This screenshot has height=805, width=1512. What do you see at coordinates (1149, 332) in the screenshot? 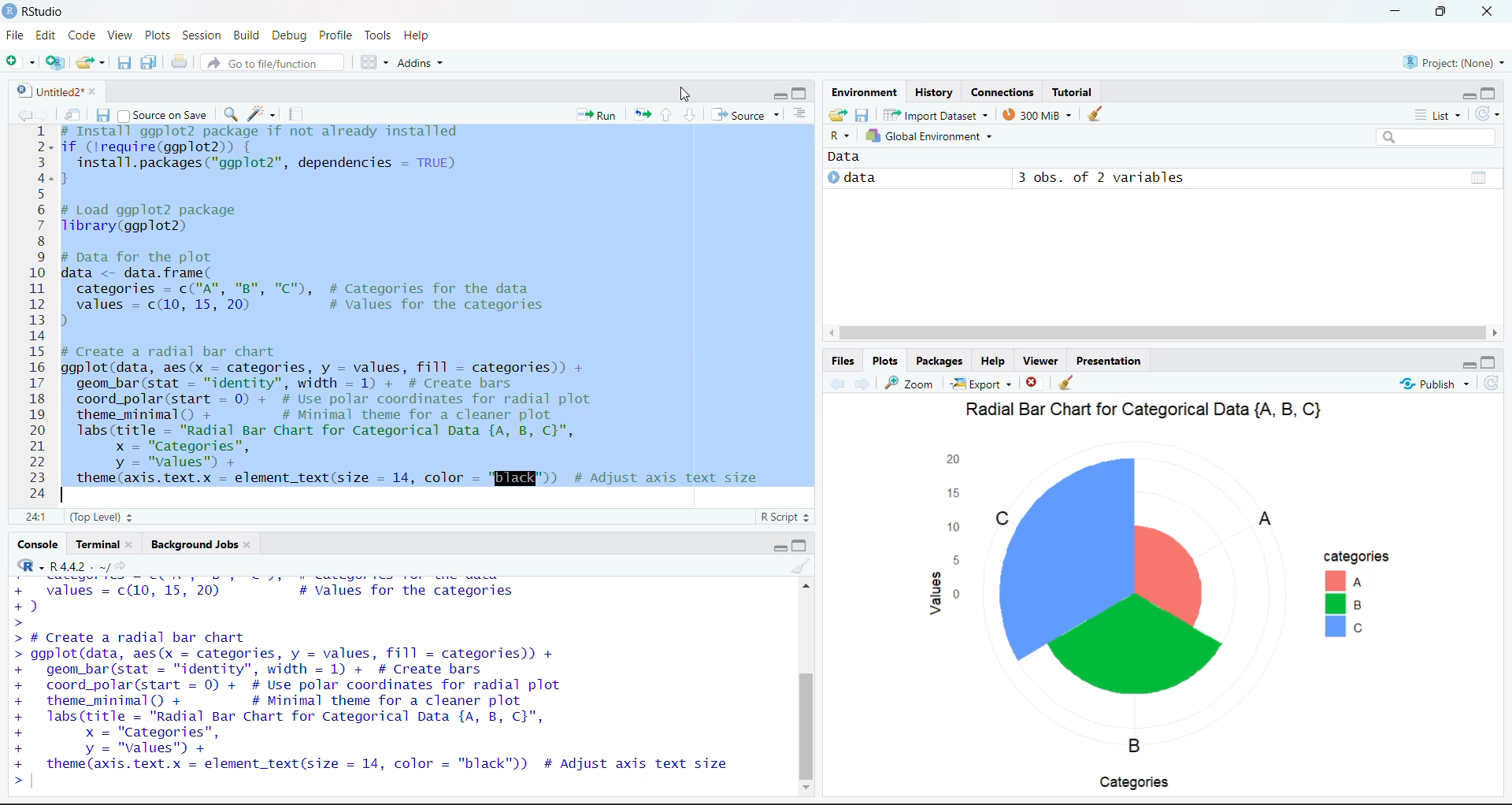
I see `horizontal scroll bar` at bounding box center [1149, 332].